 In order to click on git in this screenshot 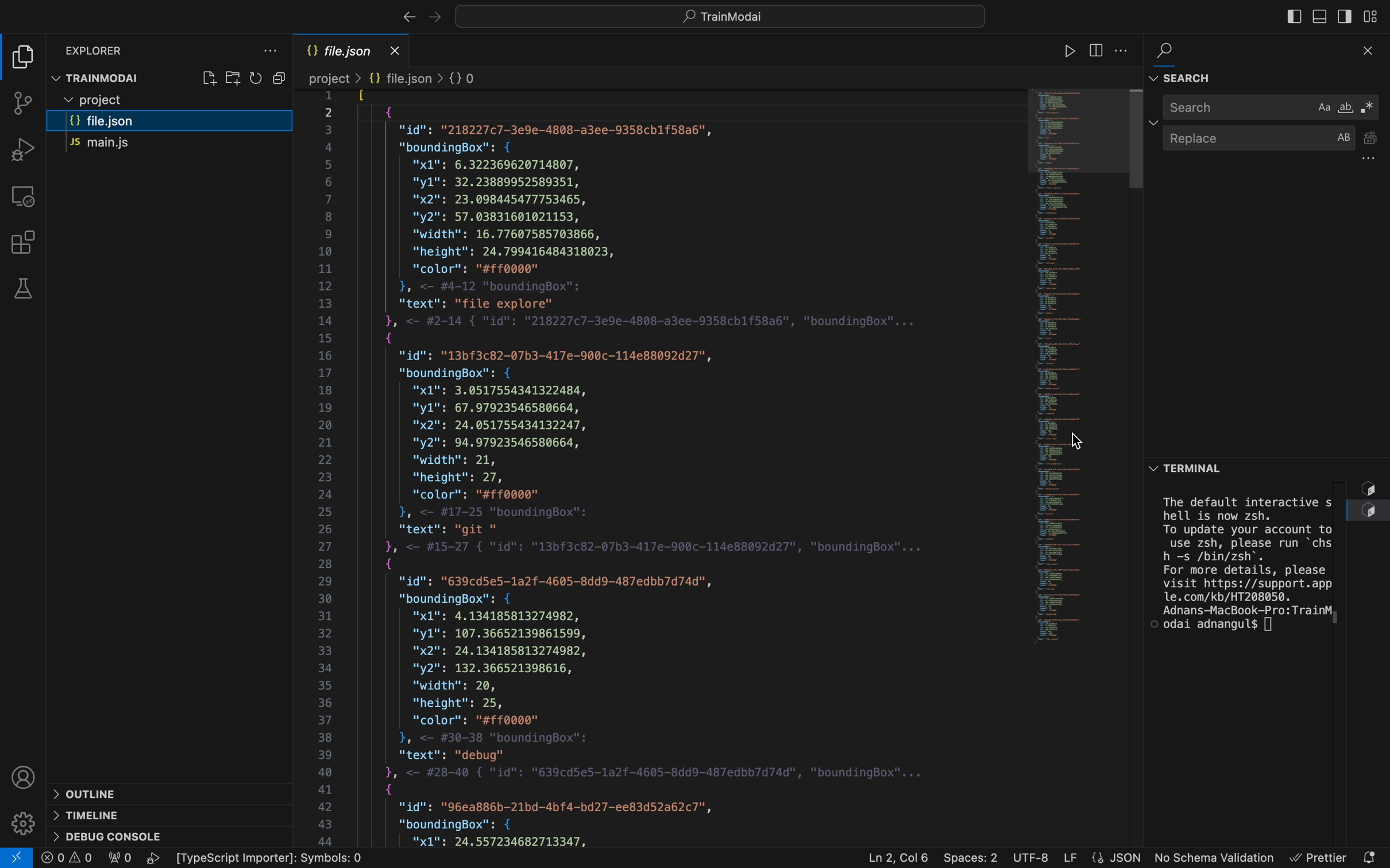, I will do `click(18, 105)`.